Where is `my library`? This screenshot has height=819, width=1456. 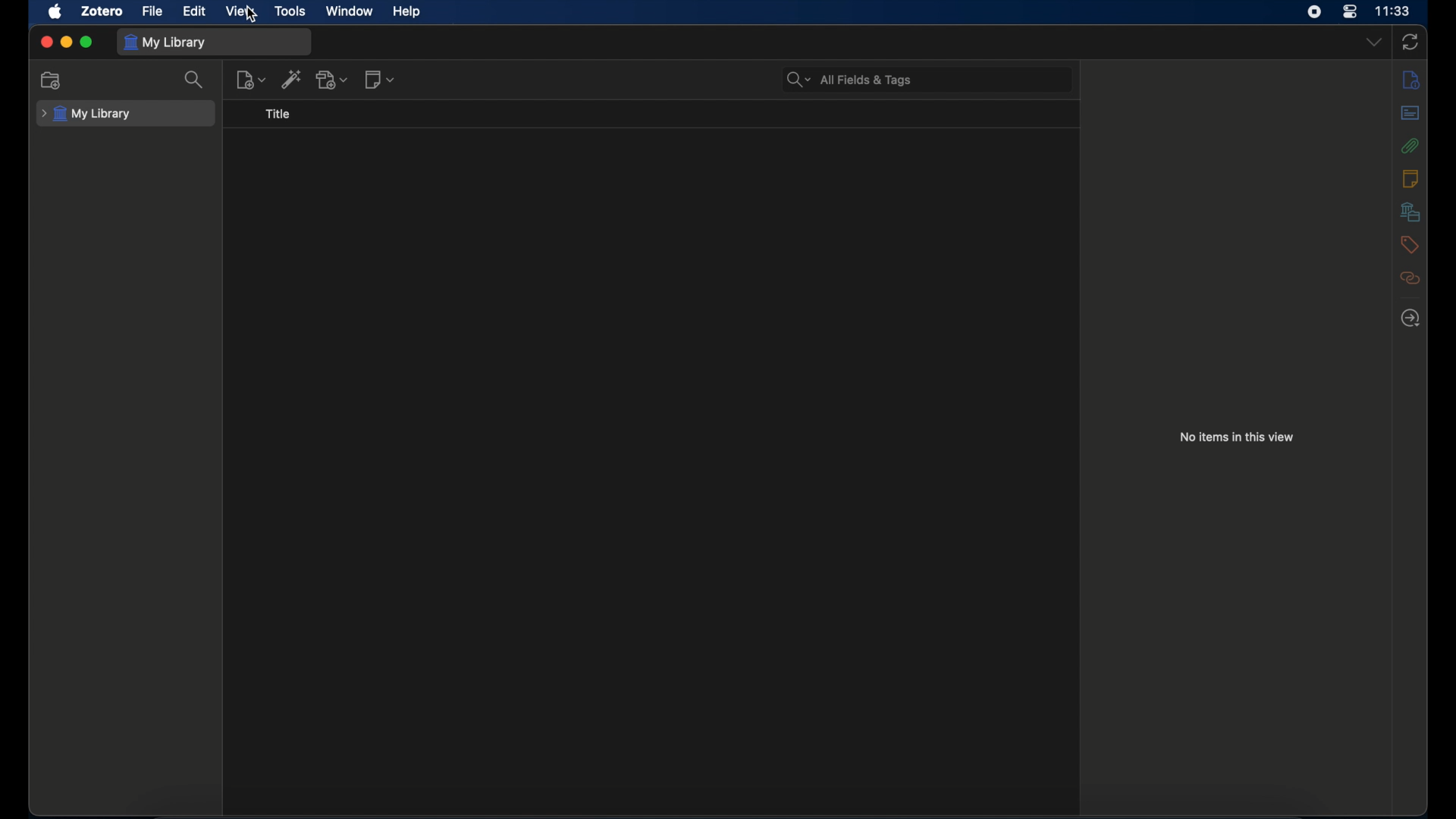
my library is located at coordinates (165, 42).